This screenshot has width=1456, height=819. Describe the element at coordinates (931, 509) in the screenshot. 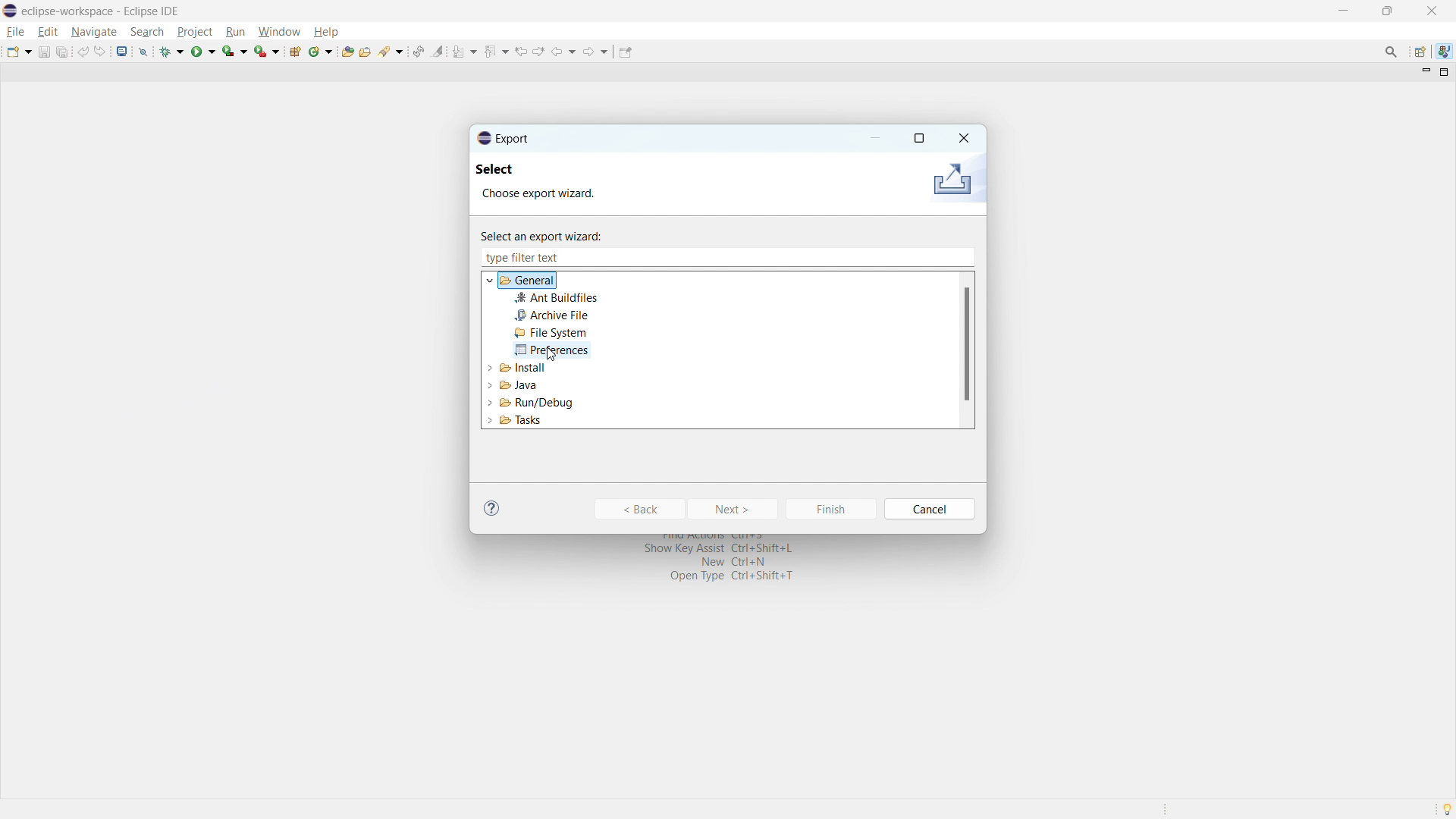

I see `cancel` at that location.